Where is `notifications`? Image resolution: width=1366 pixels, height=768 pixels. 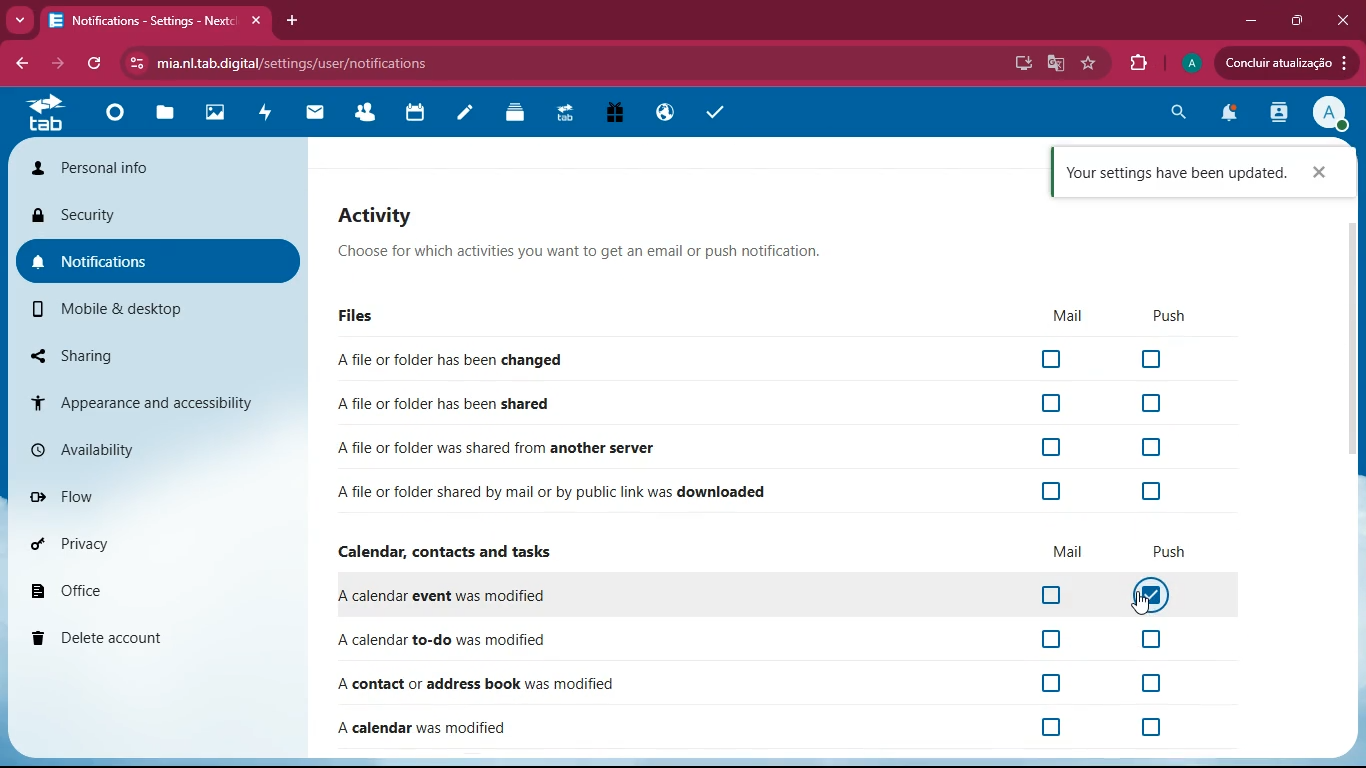 notifications is located at coordinates (1233, 115).